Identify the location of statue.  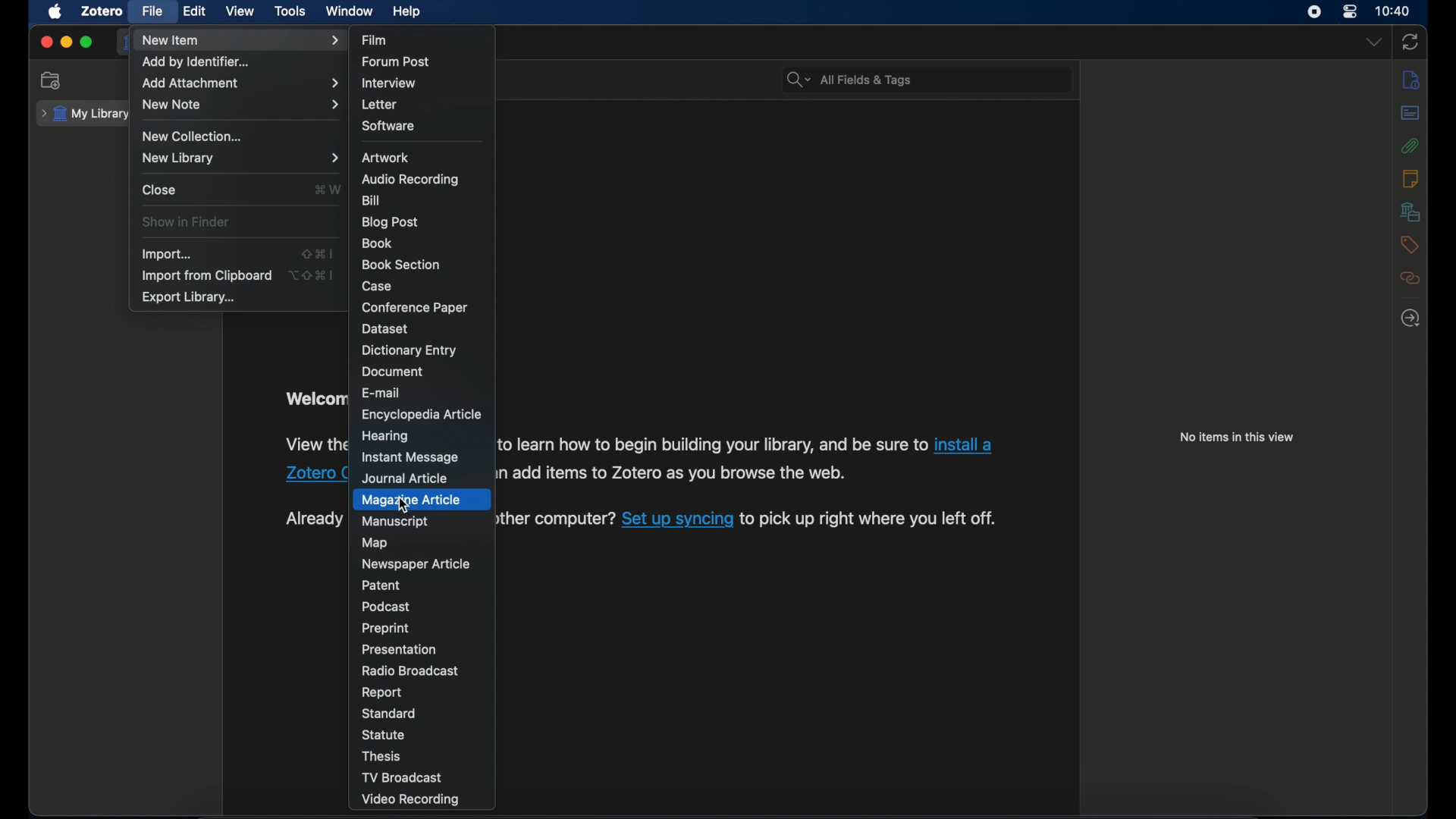
(384, 734).